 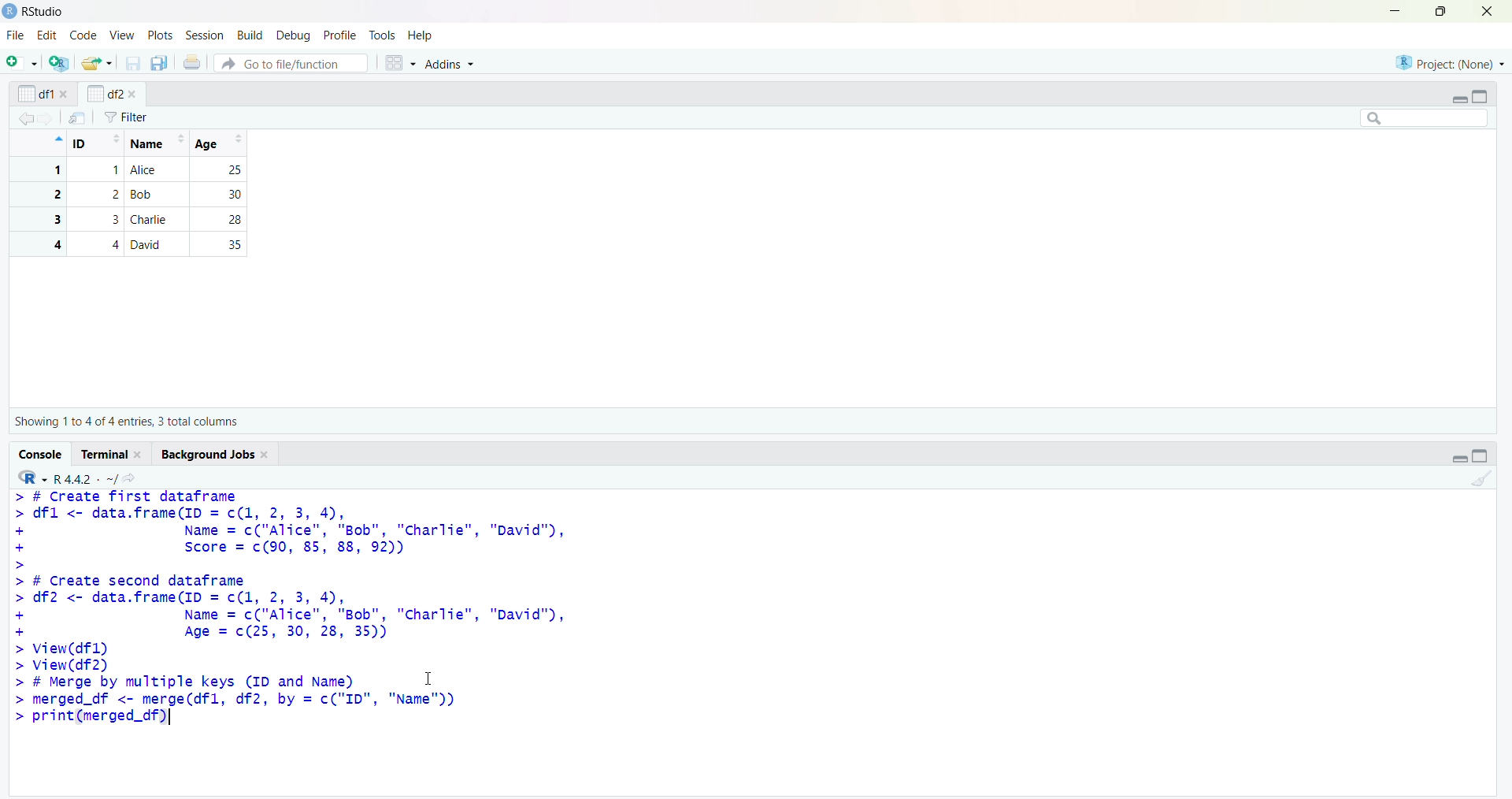 I want to click on session, so click(x=208, y=35).